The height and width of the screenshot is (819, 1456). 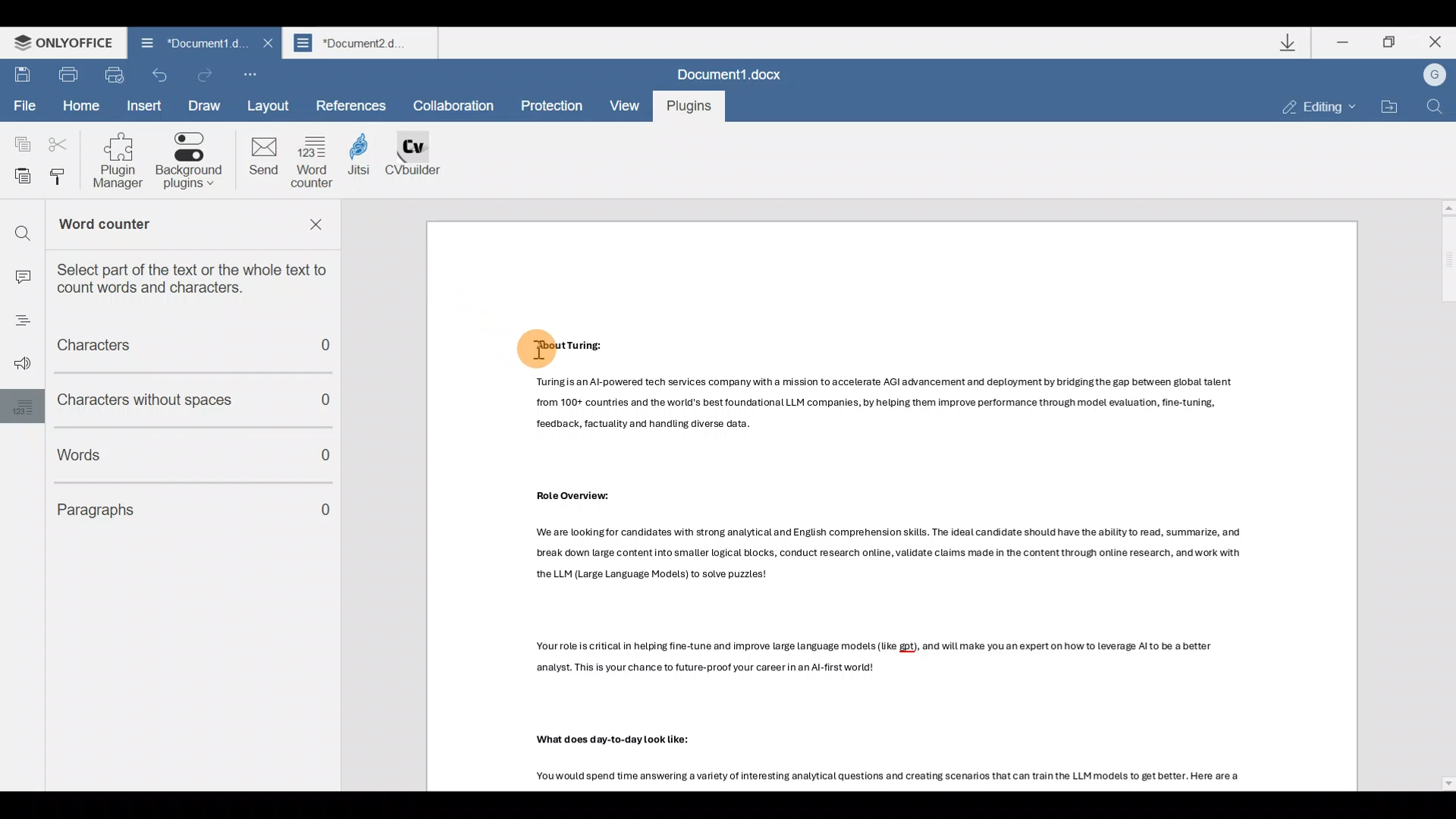 What do you see at coordinates (17, 324) in the screenshot?
I see `menu` at bounding box center [17, 324].